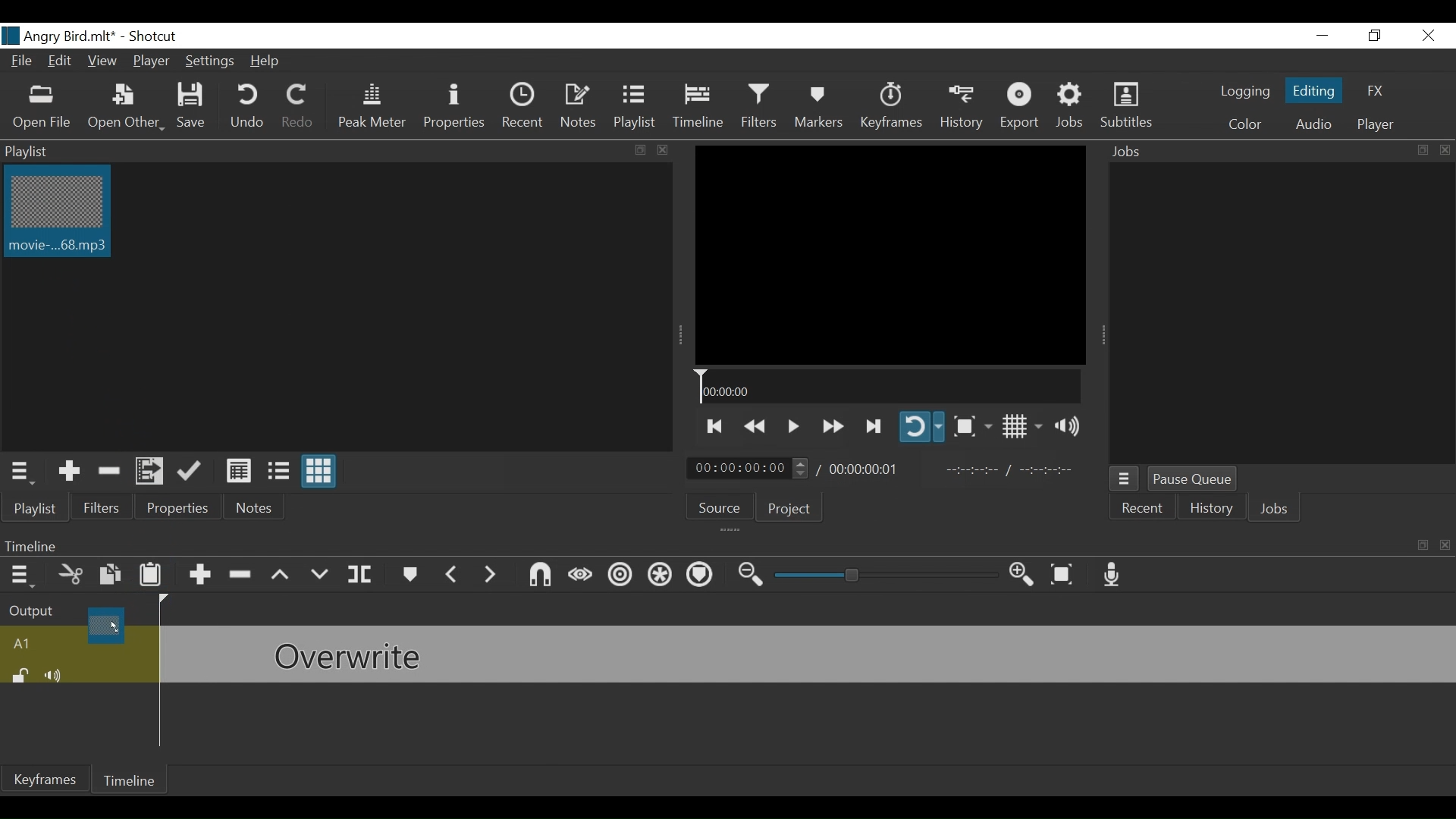 This screenshot has width=1456, height=819. What do you see at coordinates (99, 507) in the screenshot?
I see `Filters` at bounding box center [99, 507].